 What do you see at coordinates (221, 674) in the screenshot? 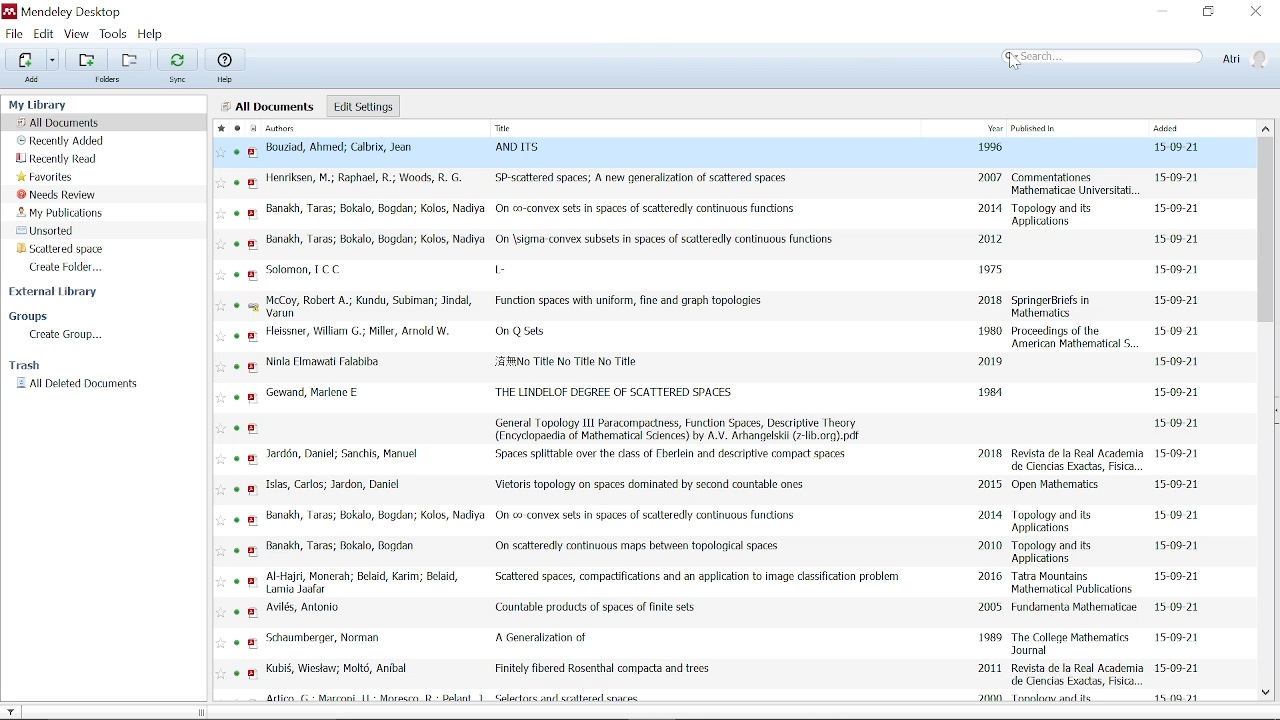
I see `Add to favorite` at bounding box center [221, 674].